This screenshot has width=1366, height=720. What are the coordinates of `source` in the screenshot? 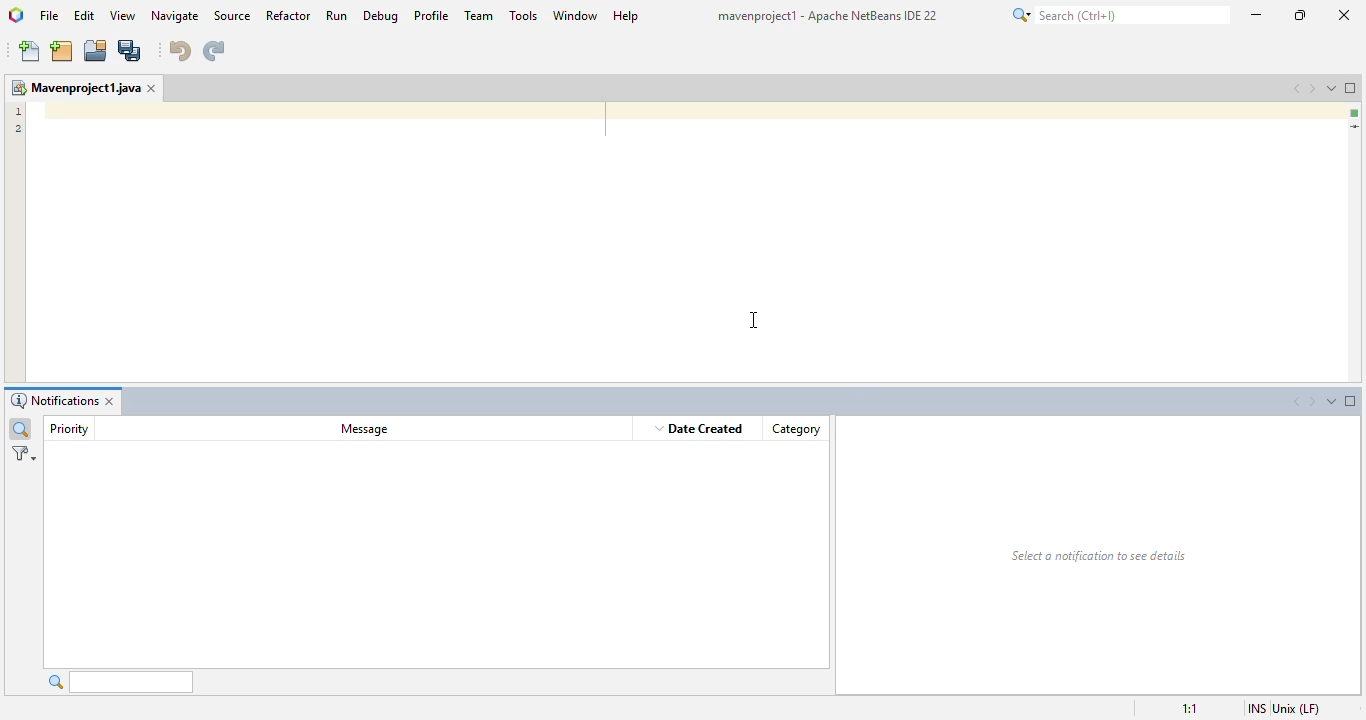 It's located at (232, 15).